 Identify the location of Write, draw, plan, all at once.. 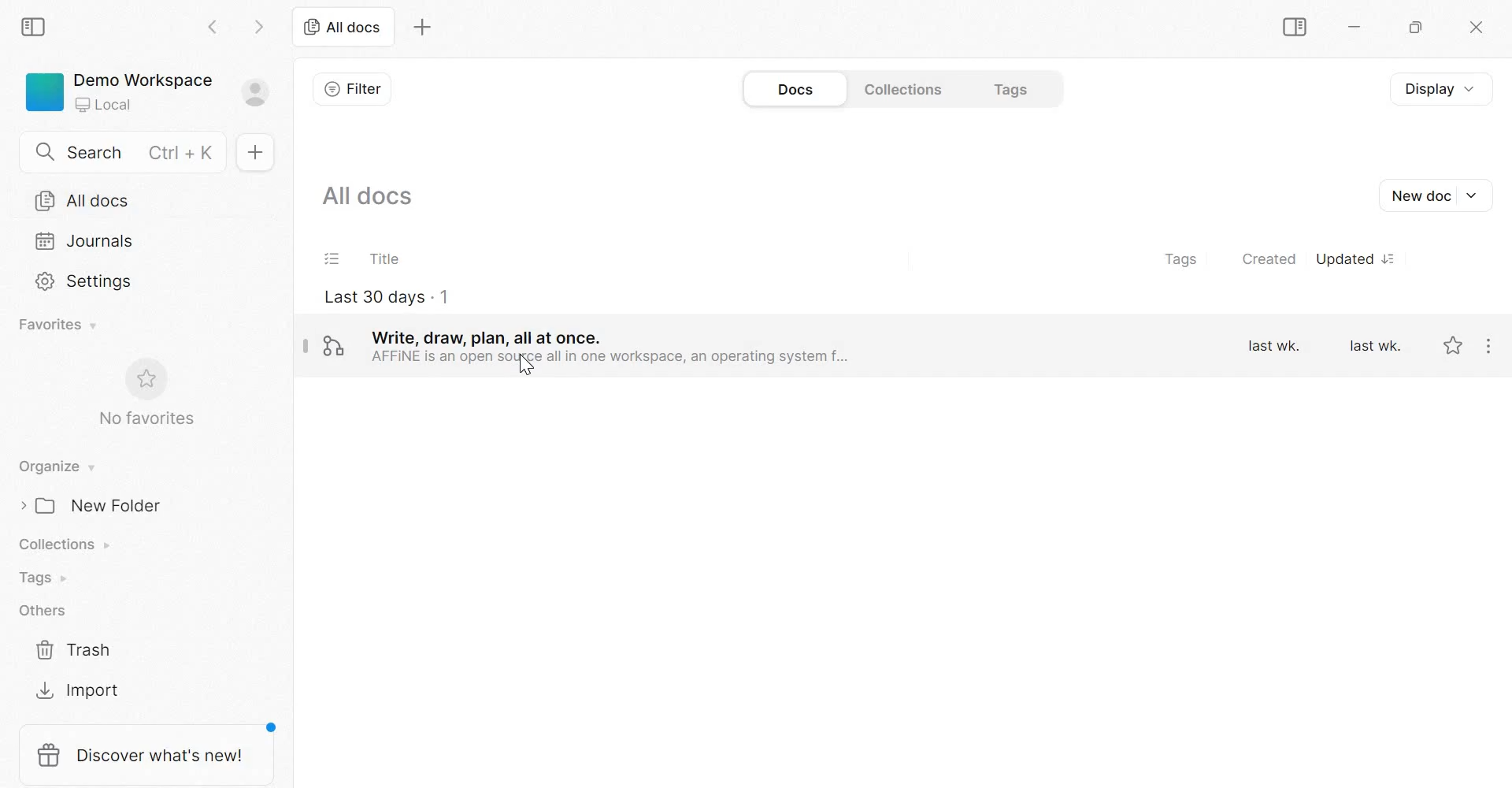
(610, 345).